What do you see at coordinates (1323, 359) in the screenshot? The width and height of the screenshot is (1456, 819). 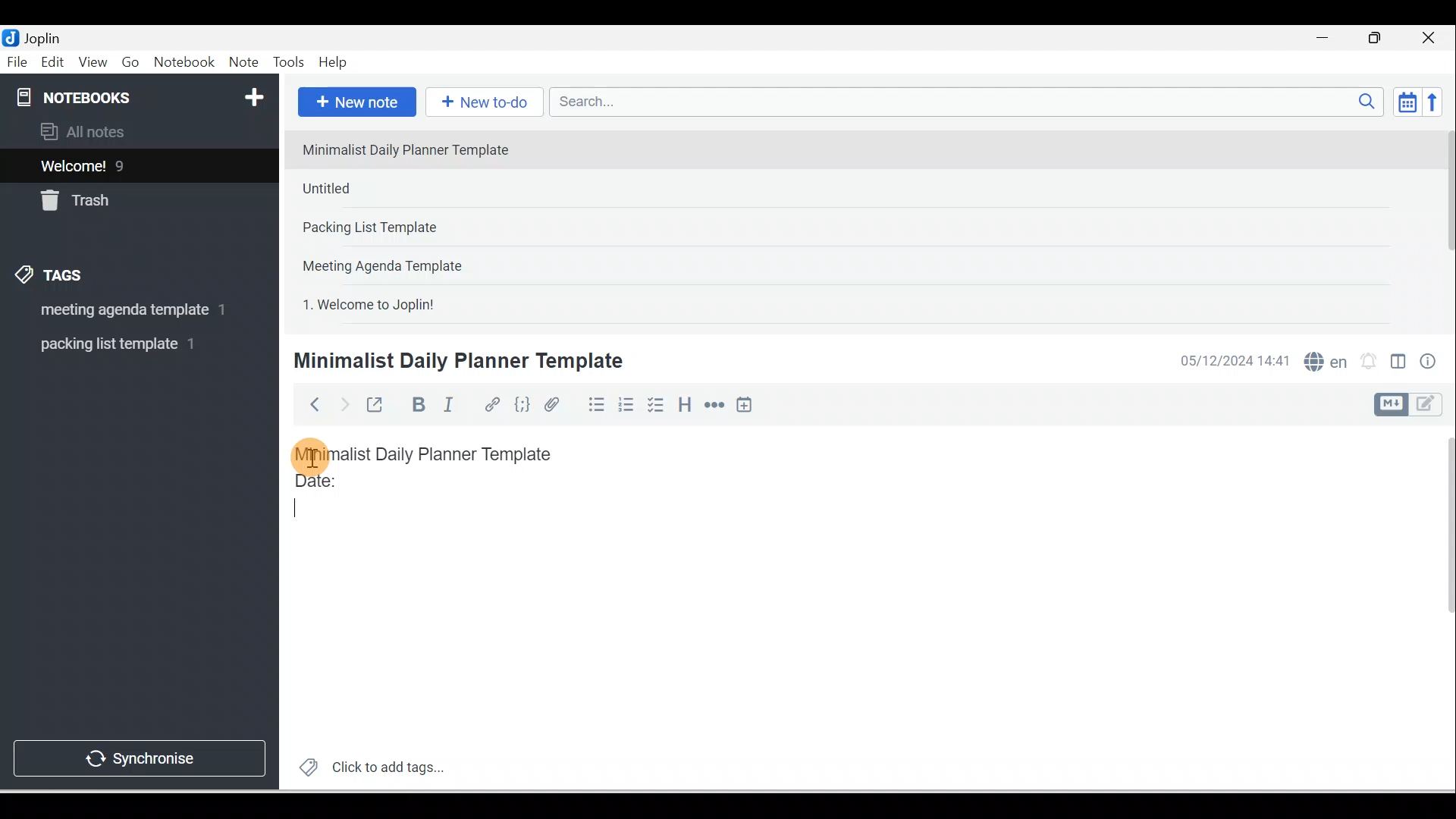 I see `Spelling` at bounding box center [1323, 359].